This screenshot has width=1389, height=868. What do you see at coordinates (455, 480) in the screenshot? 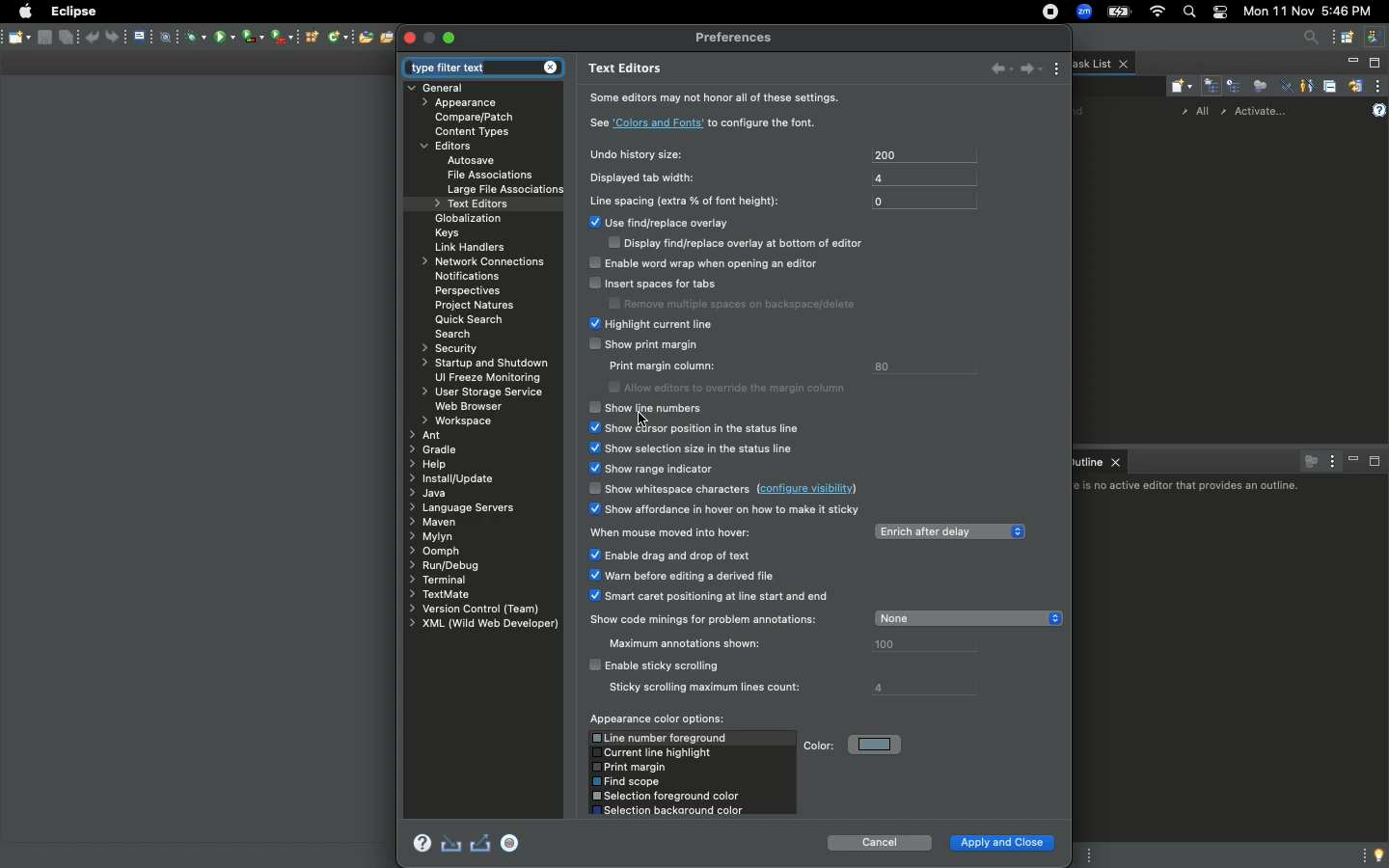
I see `Install update` at bounding box center [455, 480].